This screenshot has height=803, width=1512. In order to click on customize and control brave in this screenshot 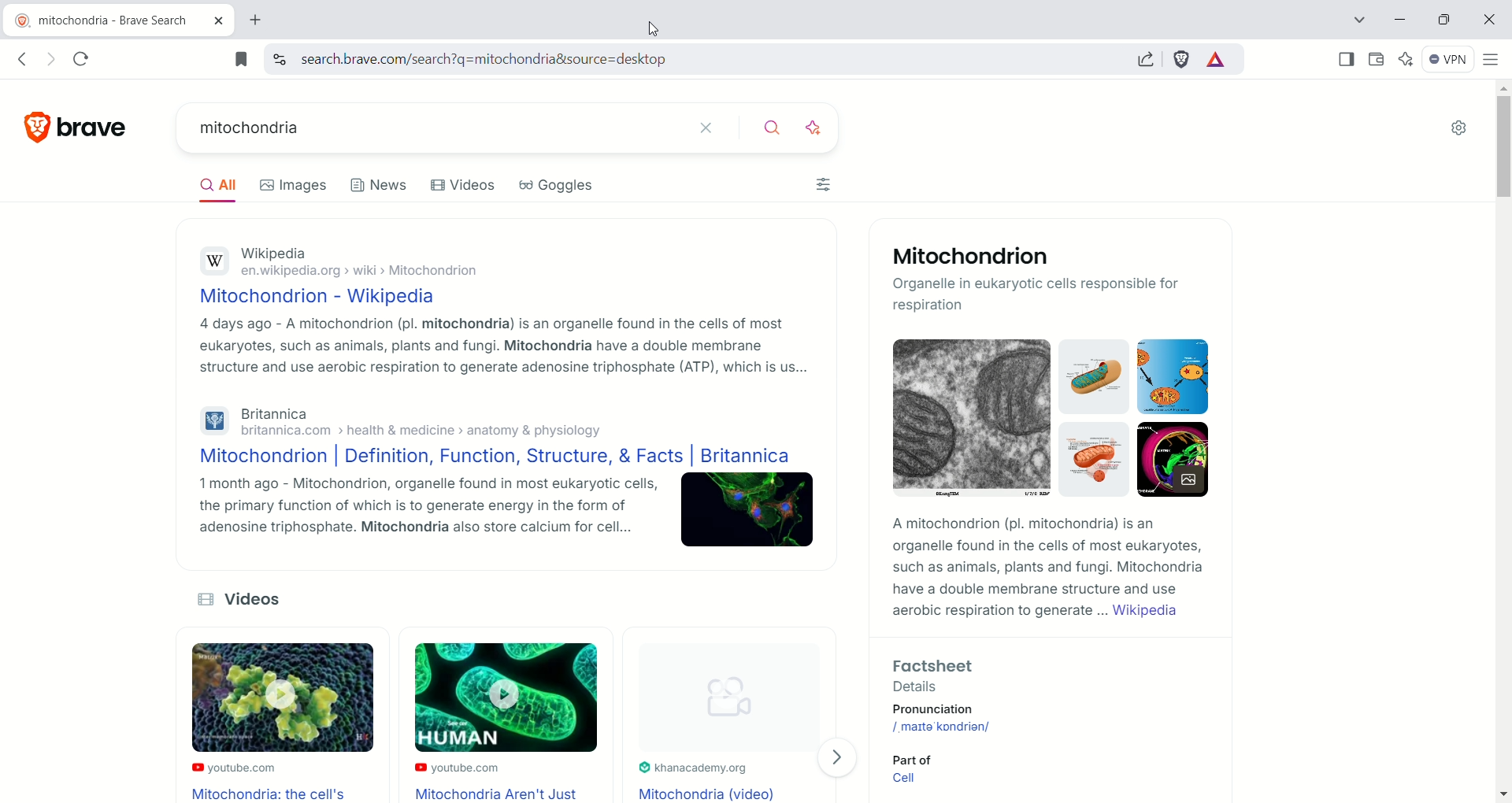, I will do `click(1492, 59)`.